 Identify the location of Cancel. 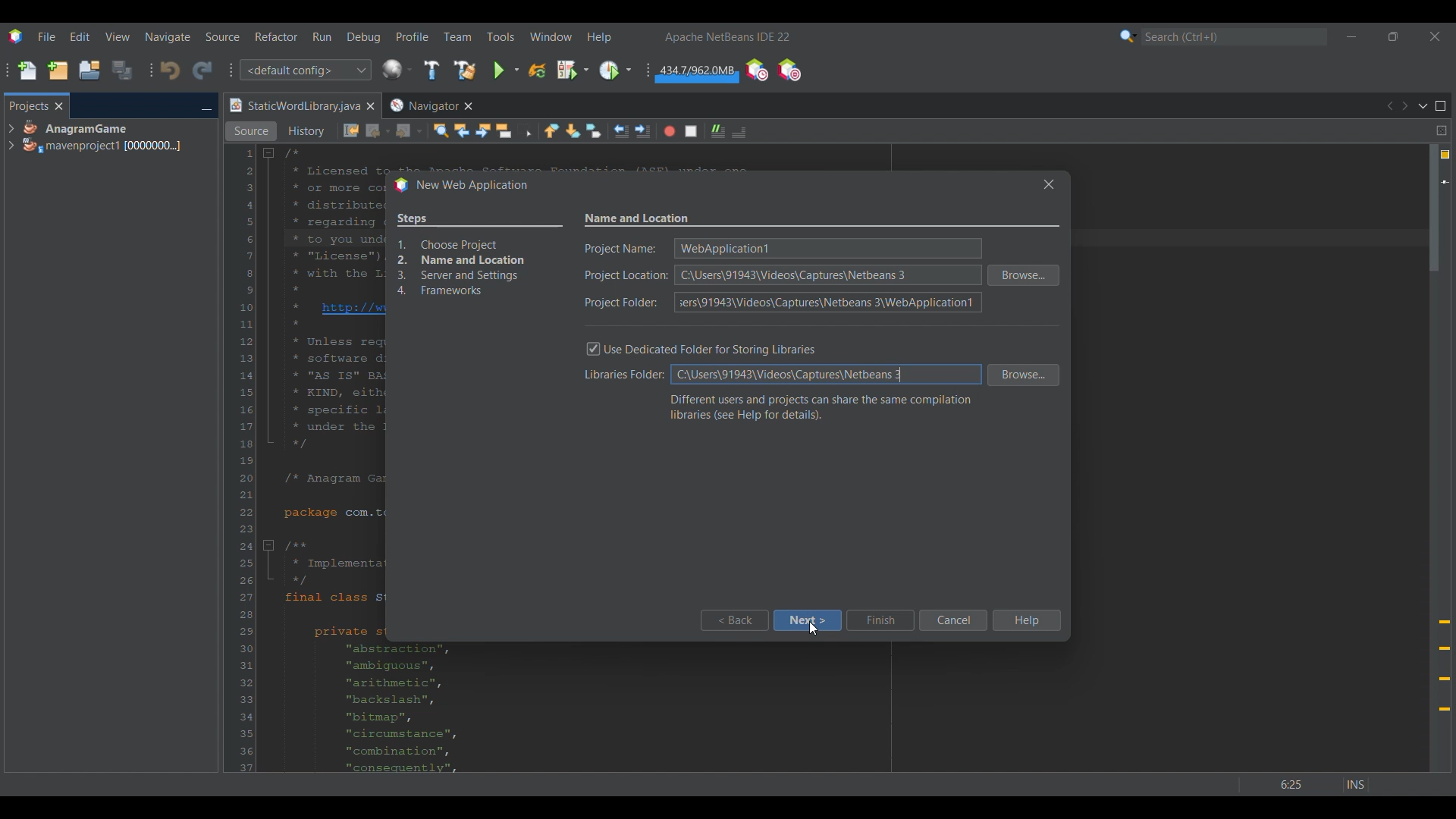
(952, 620).